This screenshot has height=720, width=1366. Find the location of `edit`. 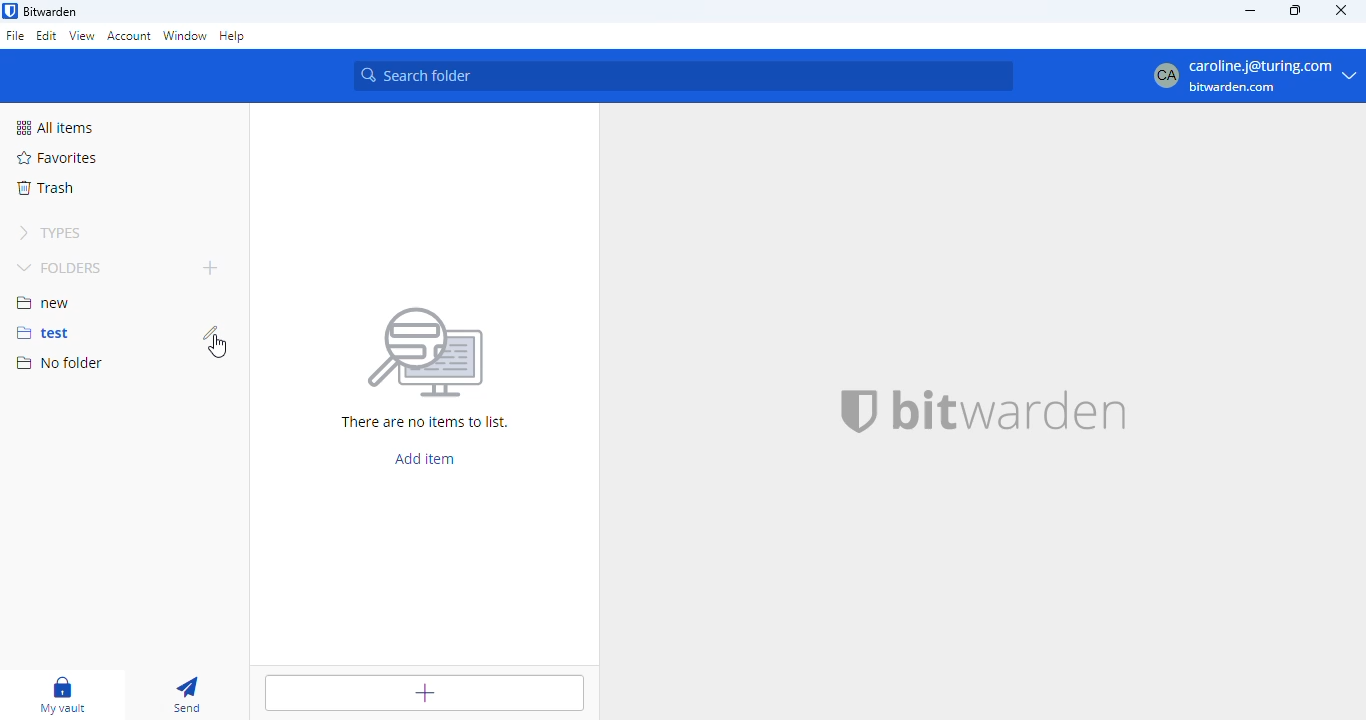

edit is located at coordinates (47, 37).